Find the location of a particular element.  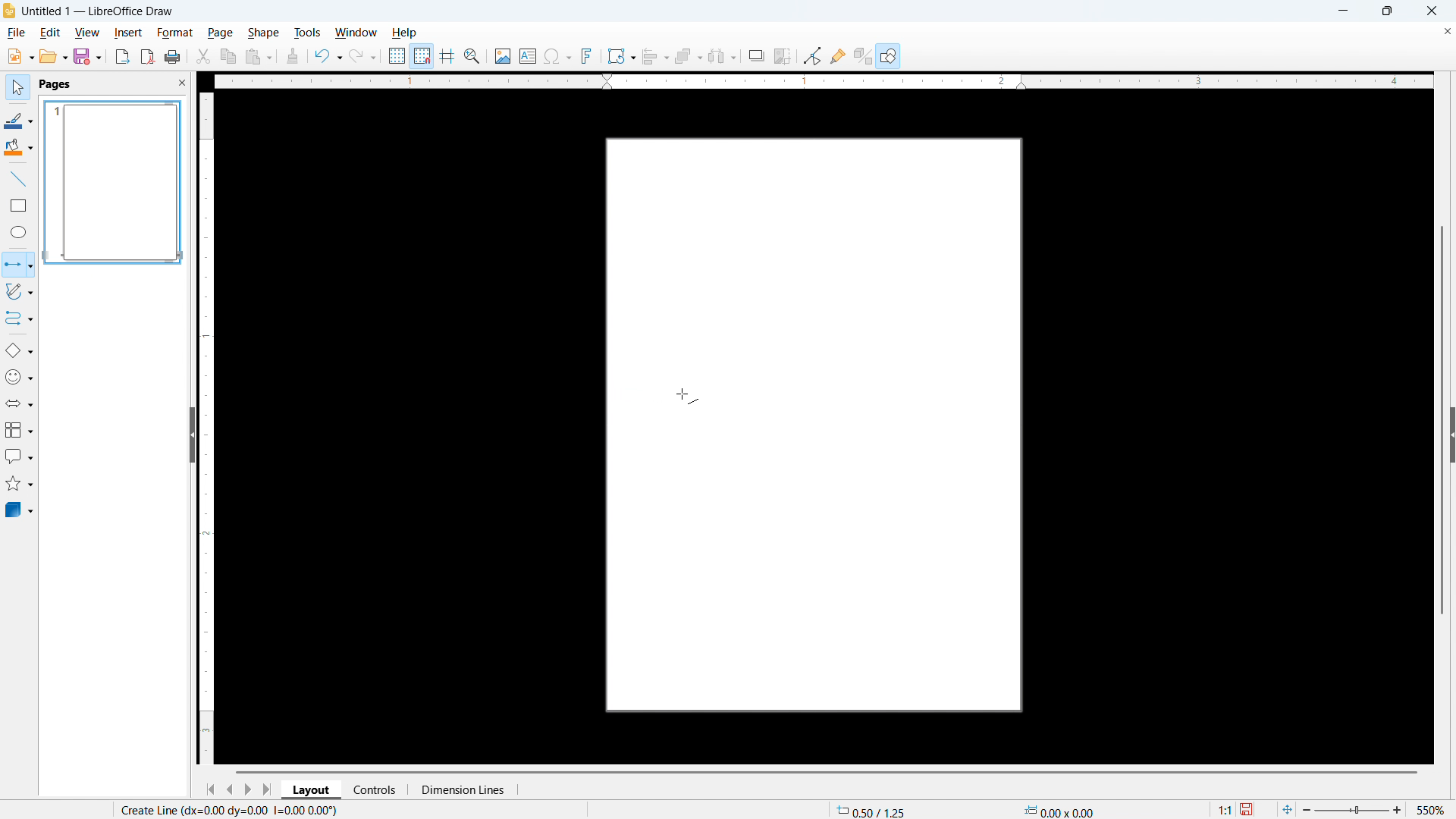

Edit  is located at coordinates (52, 33).